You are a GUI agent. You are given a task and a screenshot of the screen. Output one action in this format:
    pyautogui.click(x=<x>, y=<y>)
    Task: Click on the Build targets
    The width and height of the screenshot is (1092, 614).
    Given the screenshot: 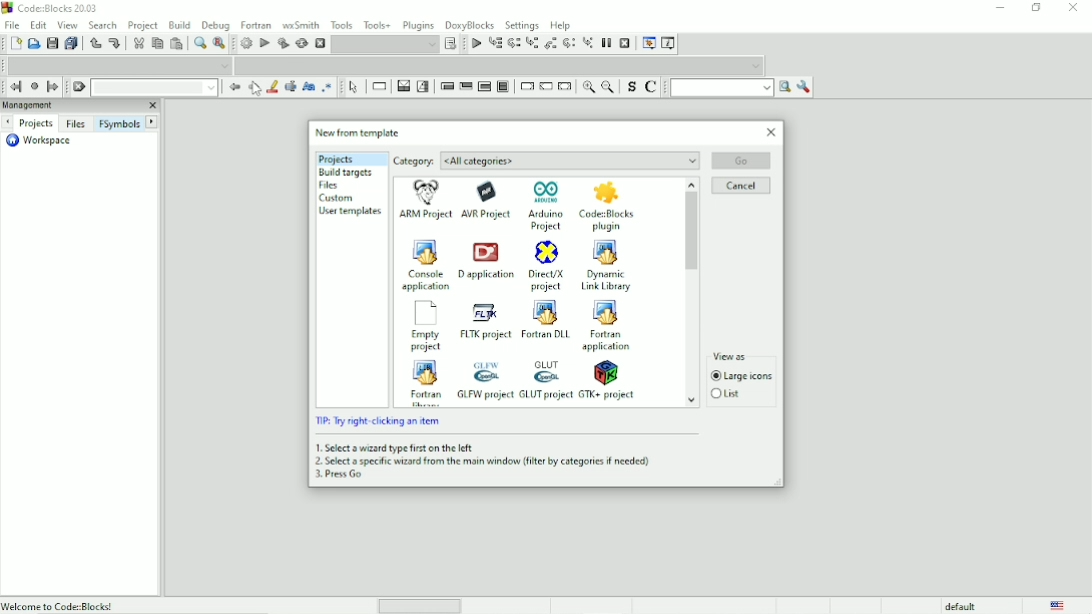 What is the action you would take?
    pyautogui.click(x=346, y=172)
    